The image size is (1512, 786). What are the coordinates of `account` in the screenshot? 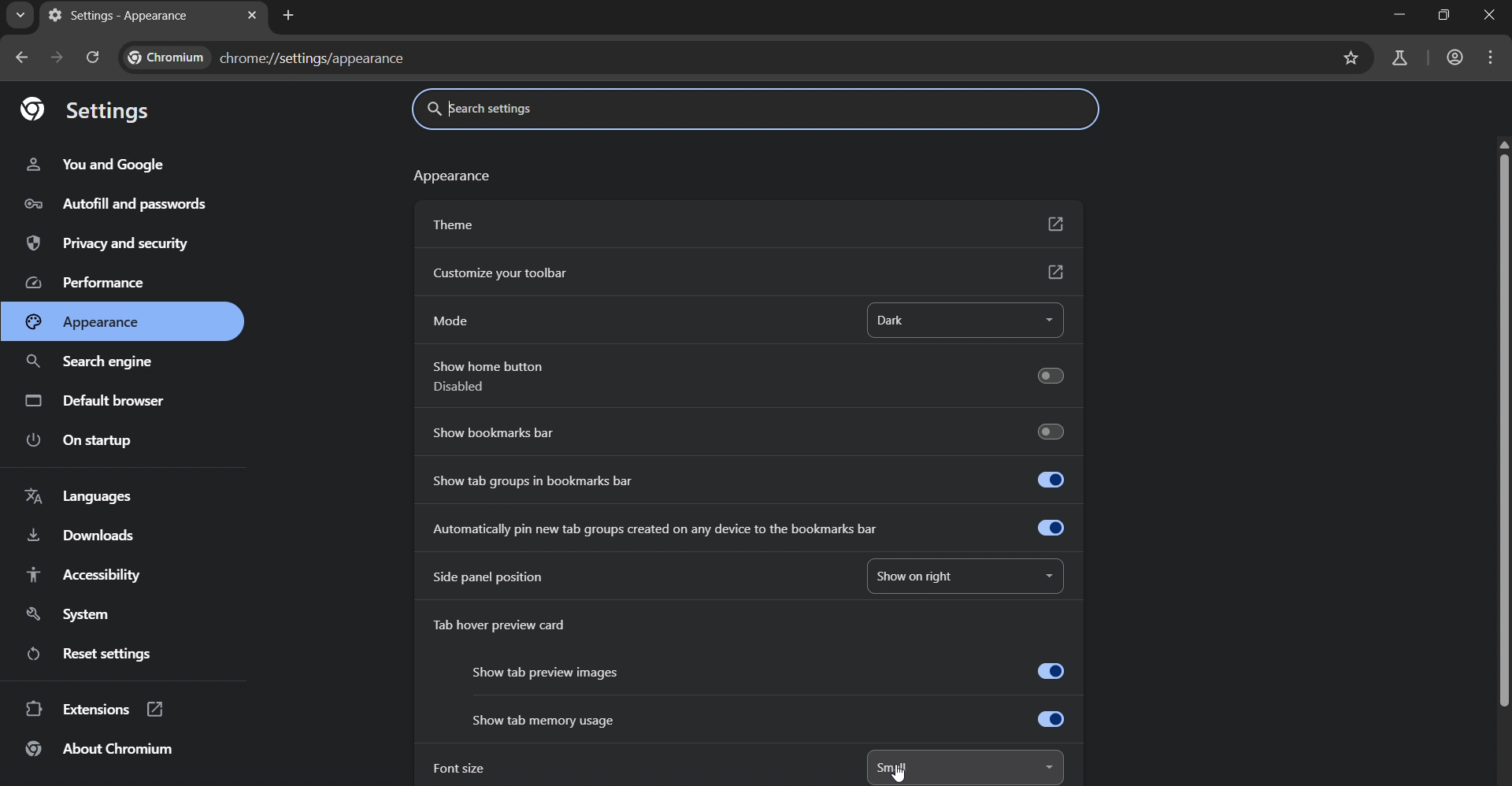 It's located at (1456, 57).